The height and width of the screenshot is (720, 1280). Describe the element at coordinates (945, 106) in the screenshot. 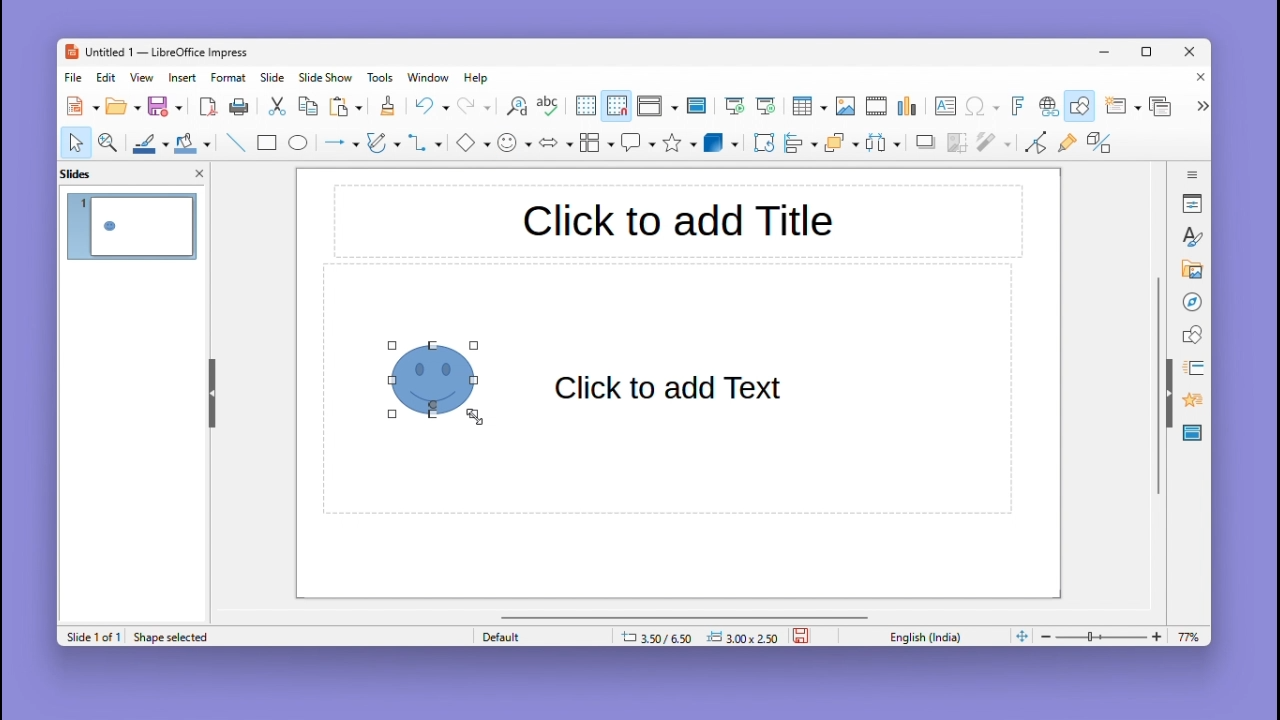

I see `Text box` at that location.